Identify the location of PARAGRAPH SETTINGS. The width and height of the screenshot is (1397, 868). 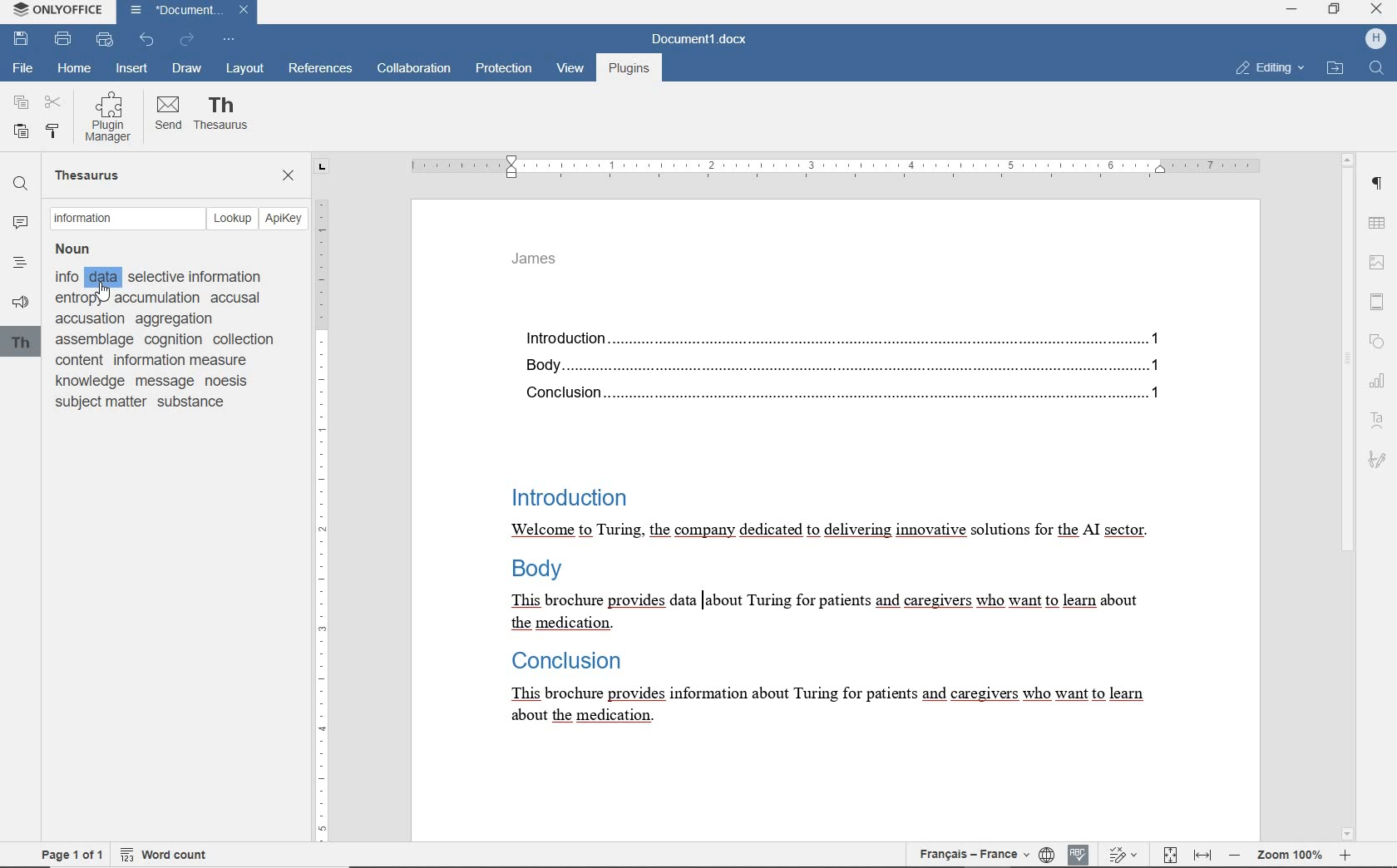
(1379, 182).